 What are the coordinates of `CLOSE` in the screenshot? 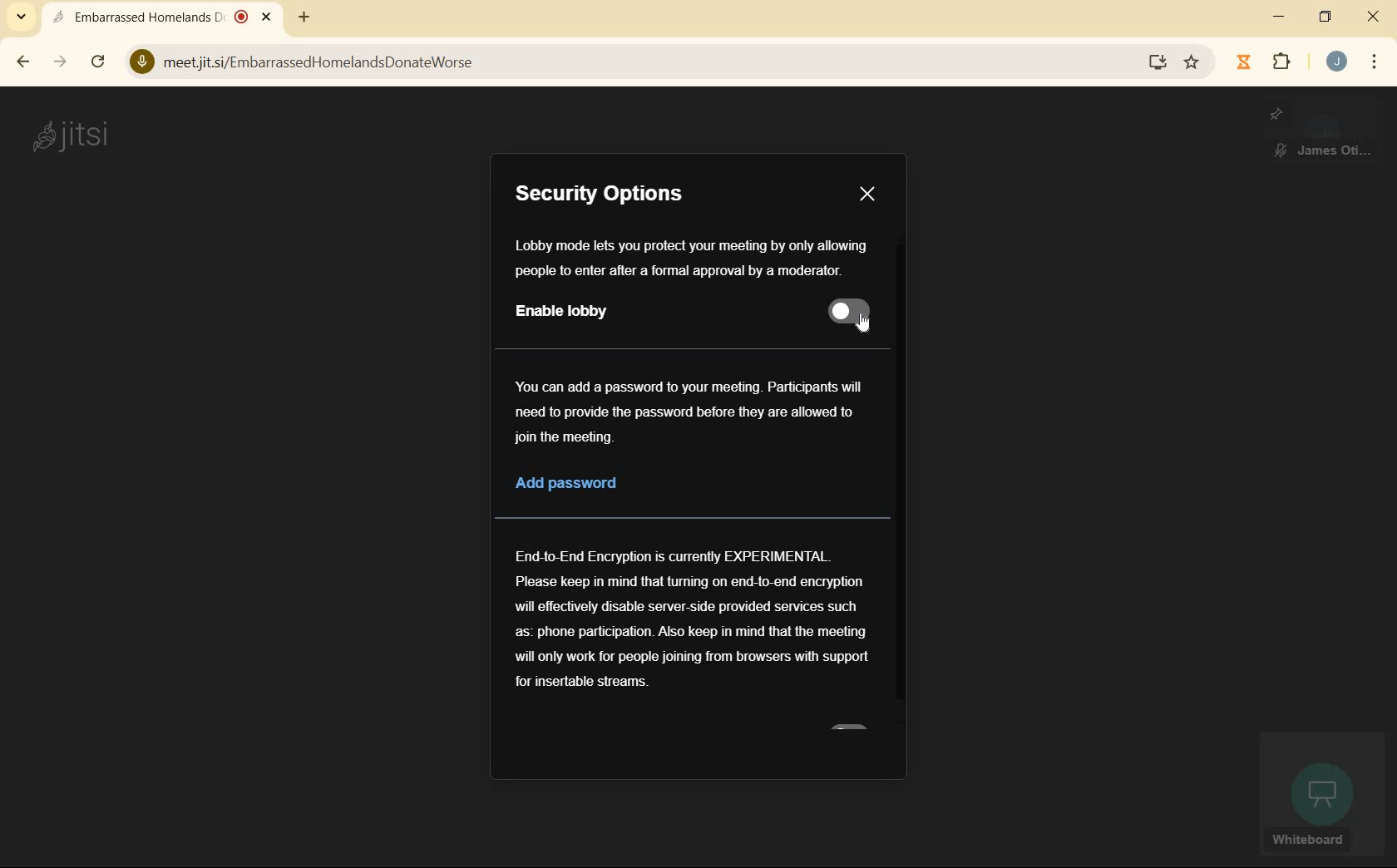 It's located at (866, 194).